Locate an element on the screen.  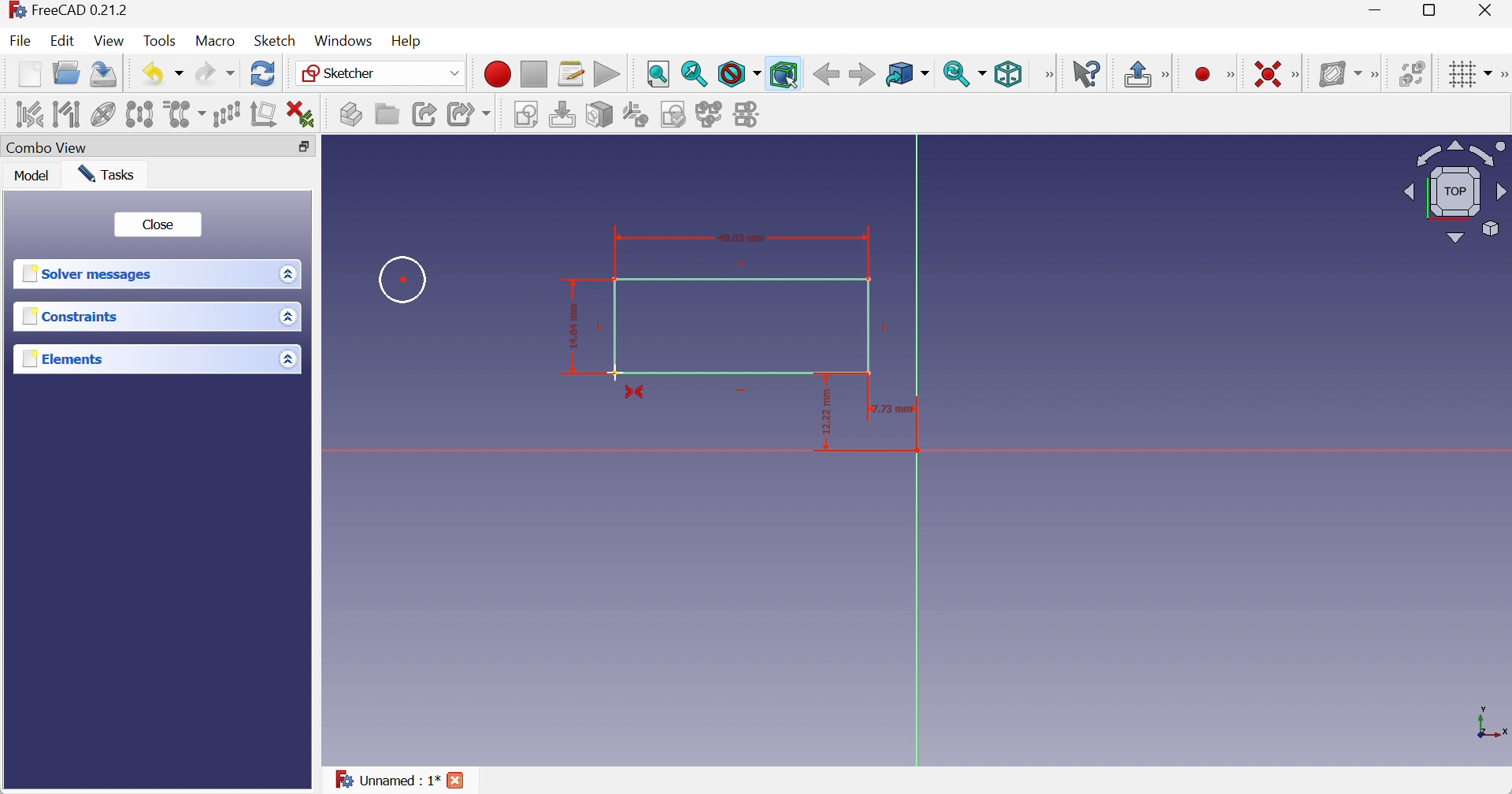
New is located at coordinates (30, 76).